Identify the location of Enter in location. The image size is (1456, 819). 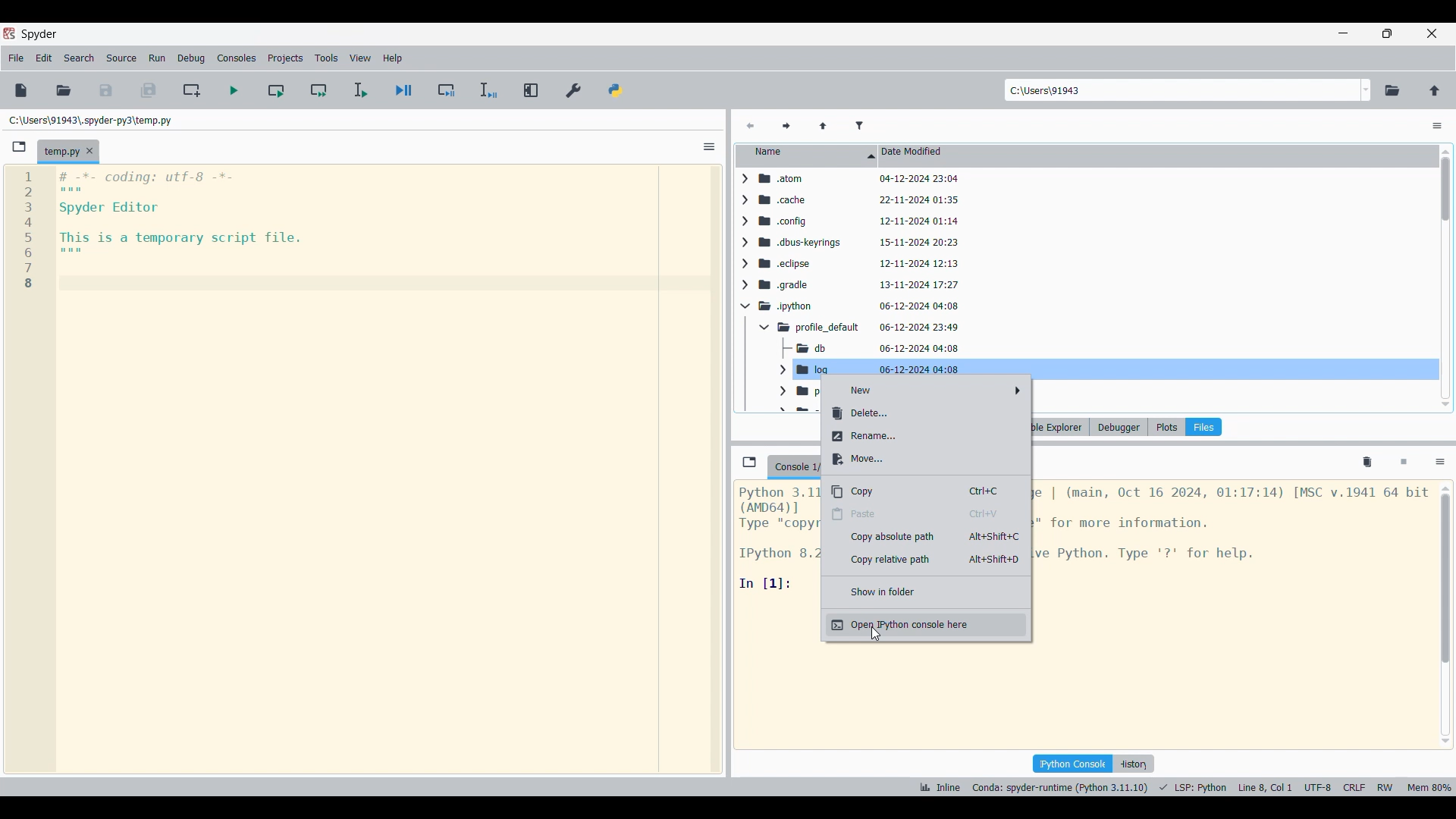
(1181, 90).